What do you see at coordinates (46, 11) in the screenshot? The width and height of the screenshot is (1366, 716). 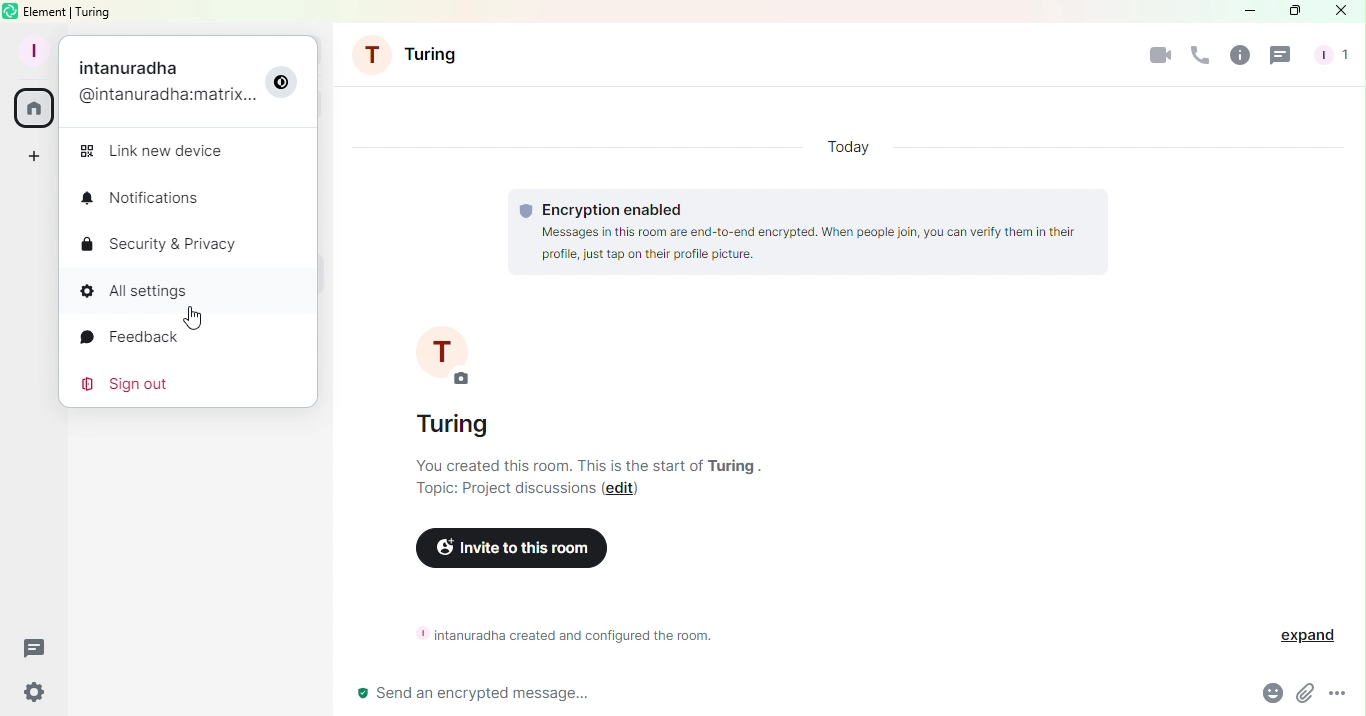 I see `element` at bounding box center [46, 11].